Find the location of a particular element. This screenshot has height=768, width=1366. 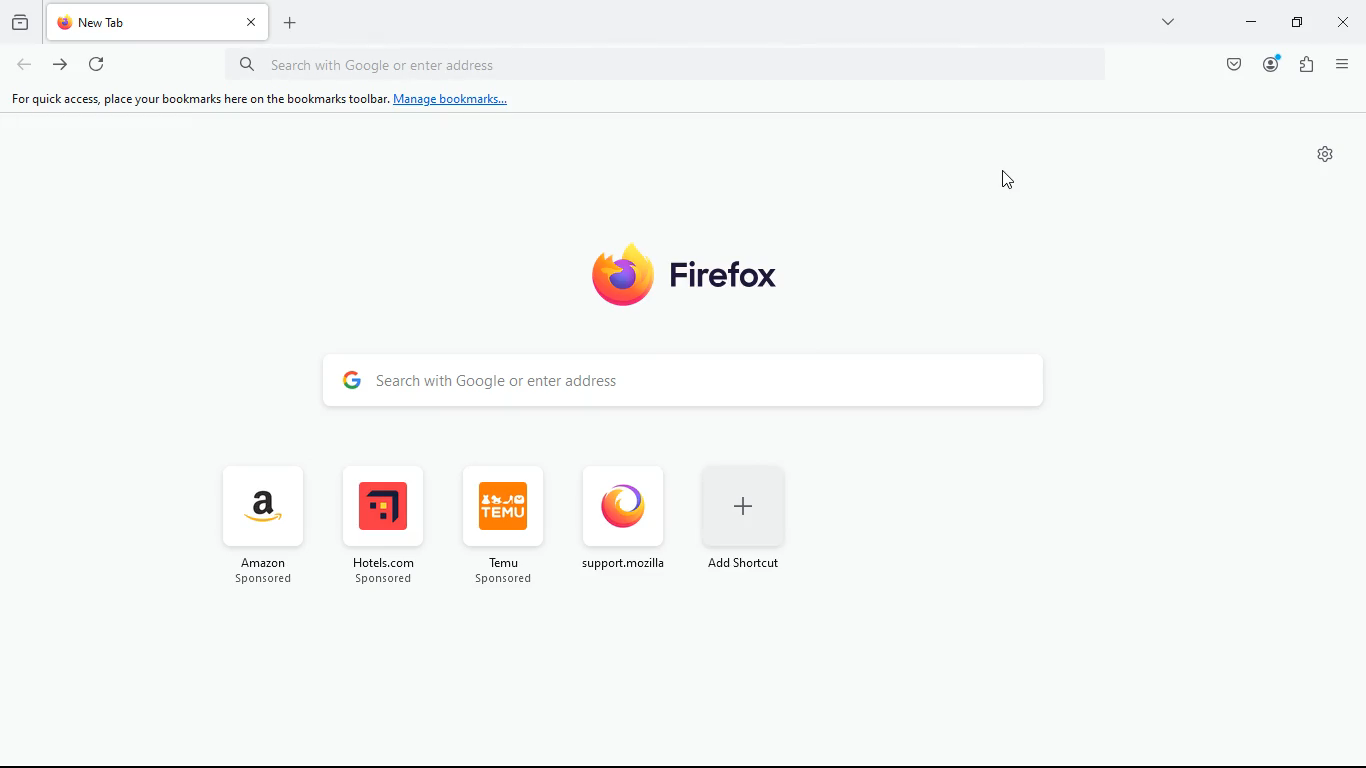

menu is located at coordinates (1340, 62).